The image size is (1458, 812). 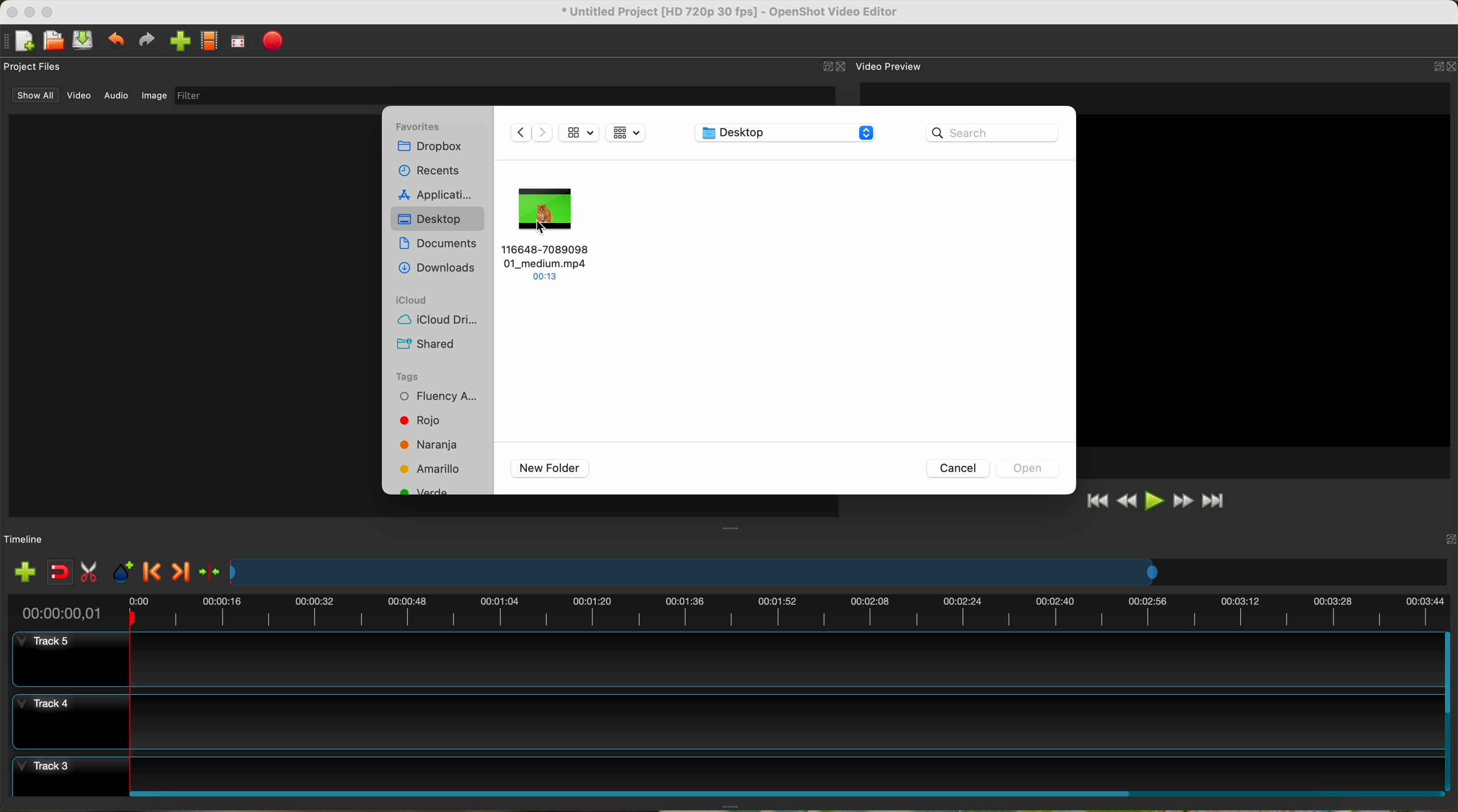 What do you see at coordinates (957, 467) in the screenshot?
I see `cancel button` at bounding box center [957, 467].